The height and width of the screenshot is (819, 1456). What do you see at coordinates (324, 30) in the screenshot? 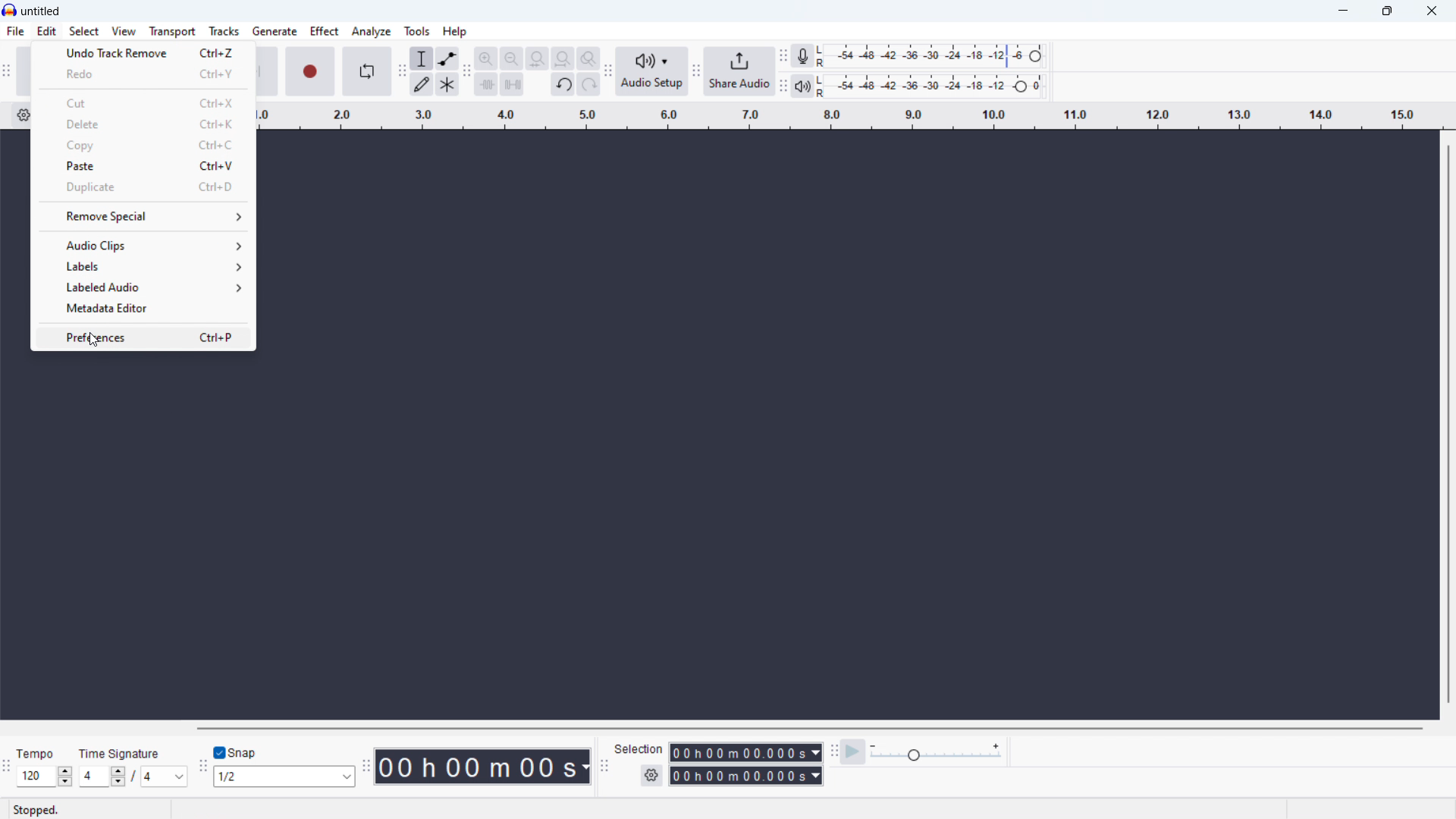
I see `effect` at bounding box center [324, 30].